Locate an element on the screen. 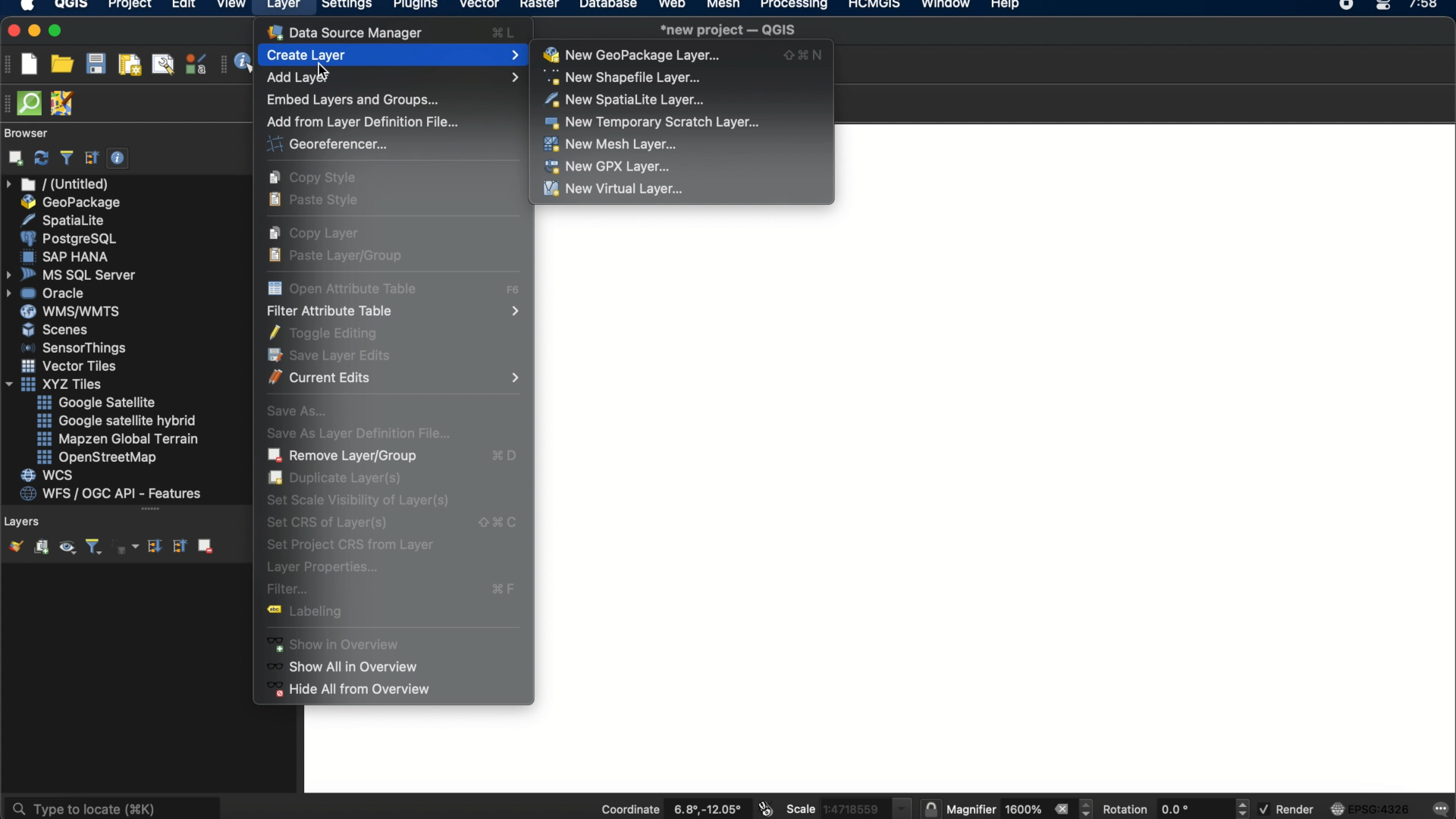 The image size is (1456, 819). manage map themes is located at coordinates (66, 549).